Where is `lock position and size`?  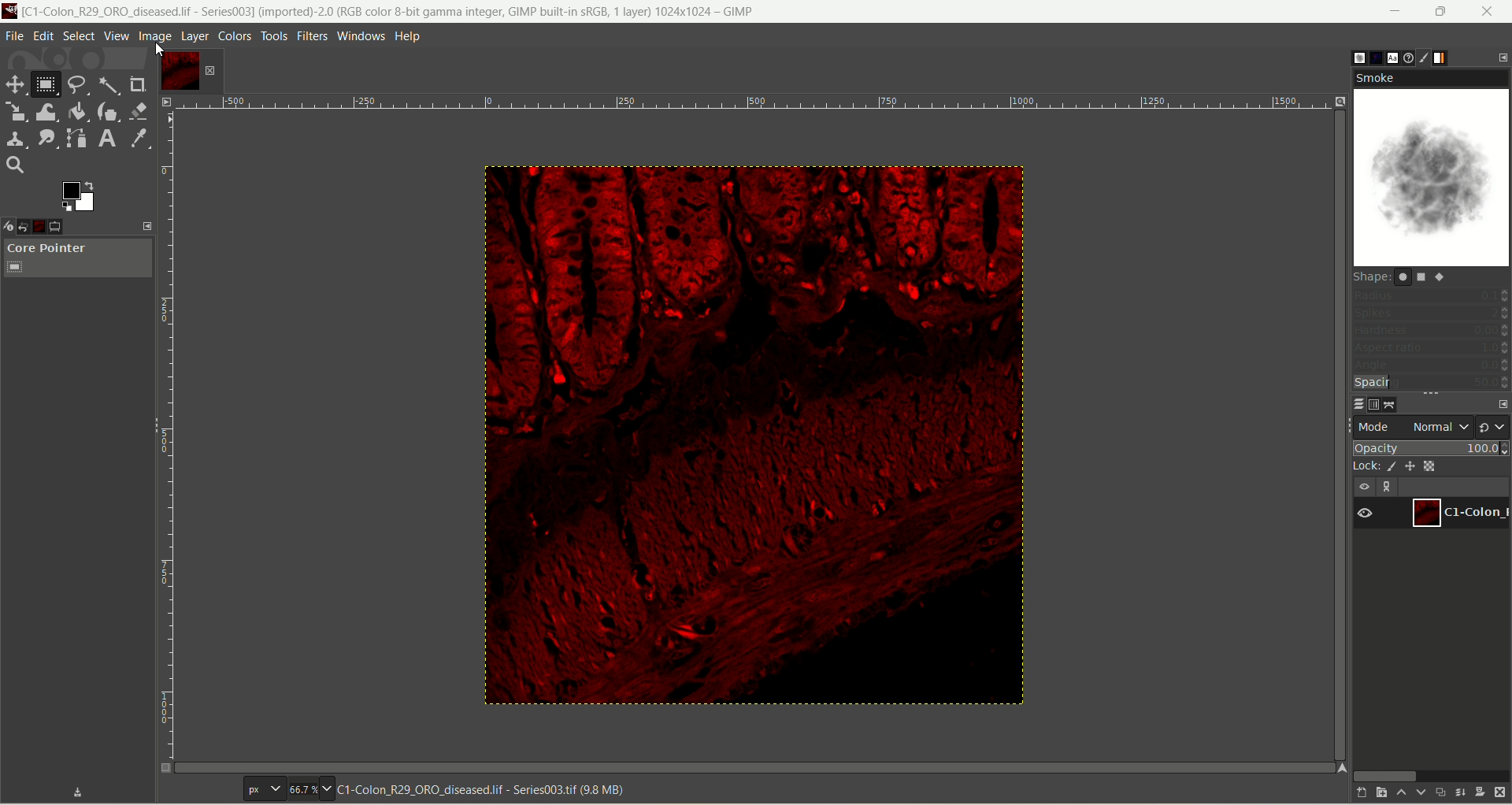
lock position and size is located at coordinates (1410, 467).